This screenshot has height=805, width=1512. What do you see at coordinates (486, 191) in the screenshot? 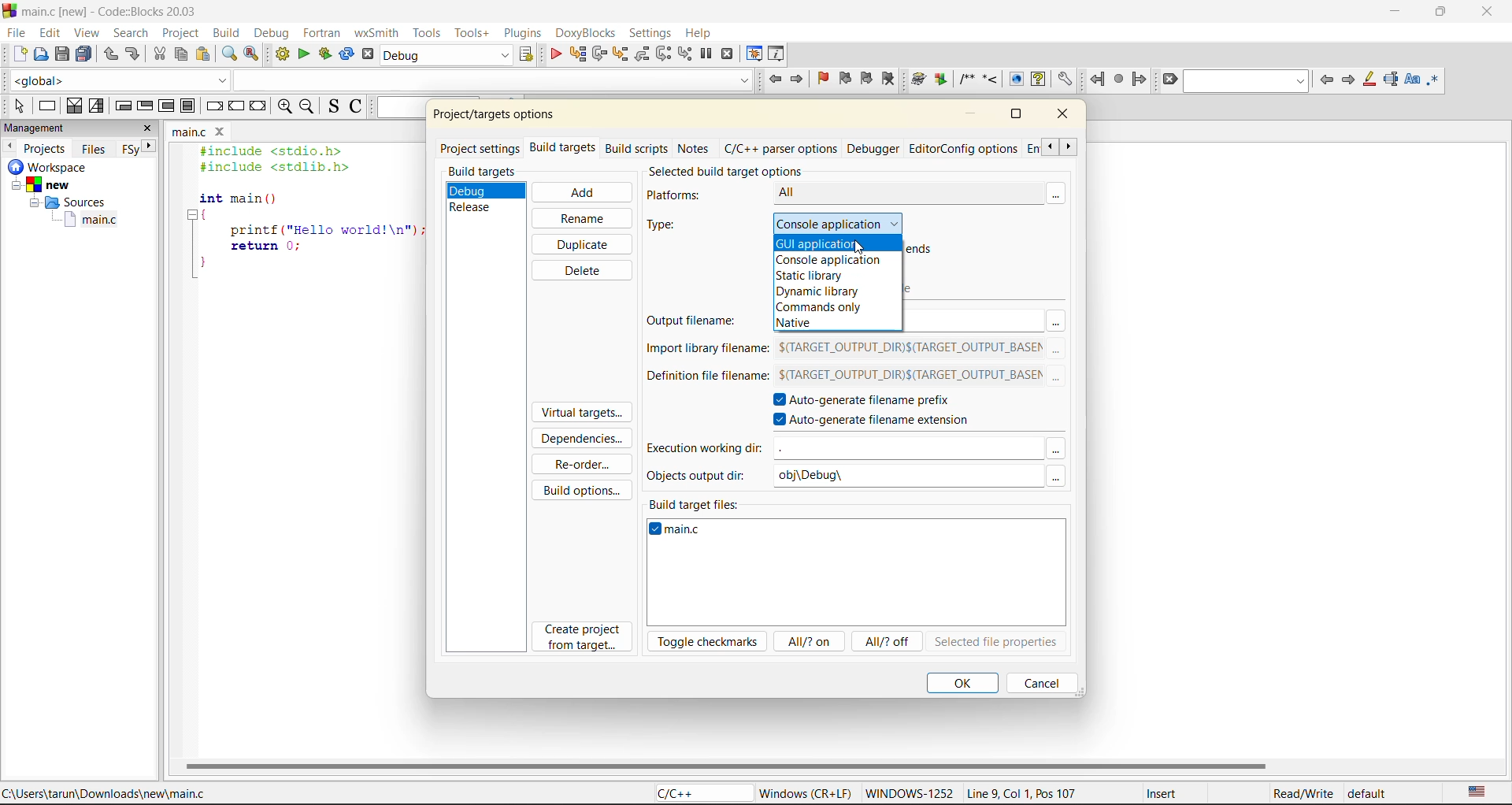
I see `debug` at bounding box center [486, 191].